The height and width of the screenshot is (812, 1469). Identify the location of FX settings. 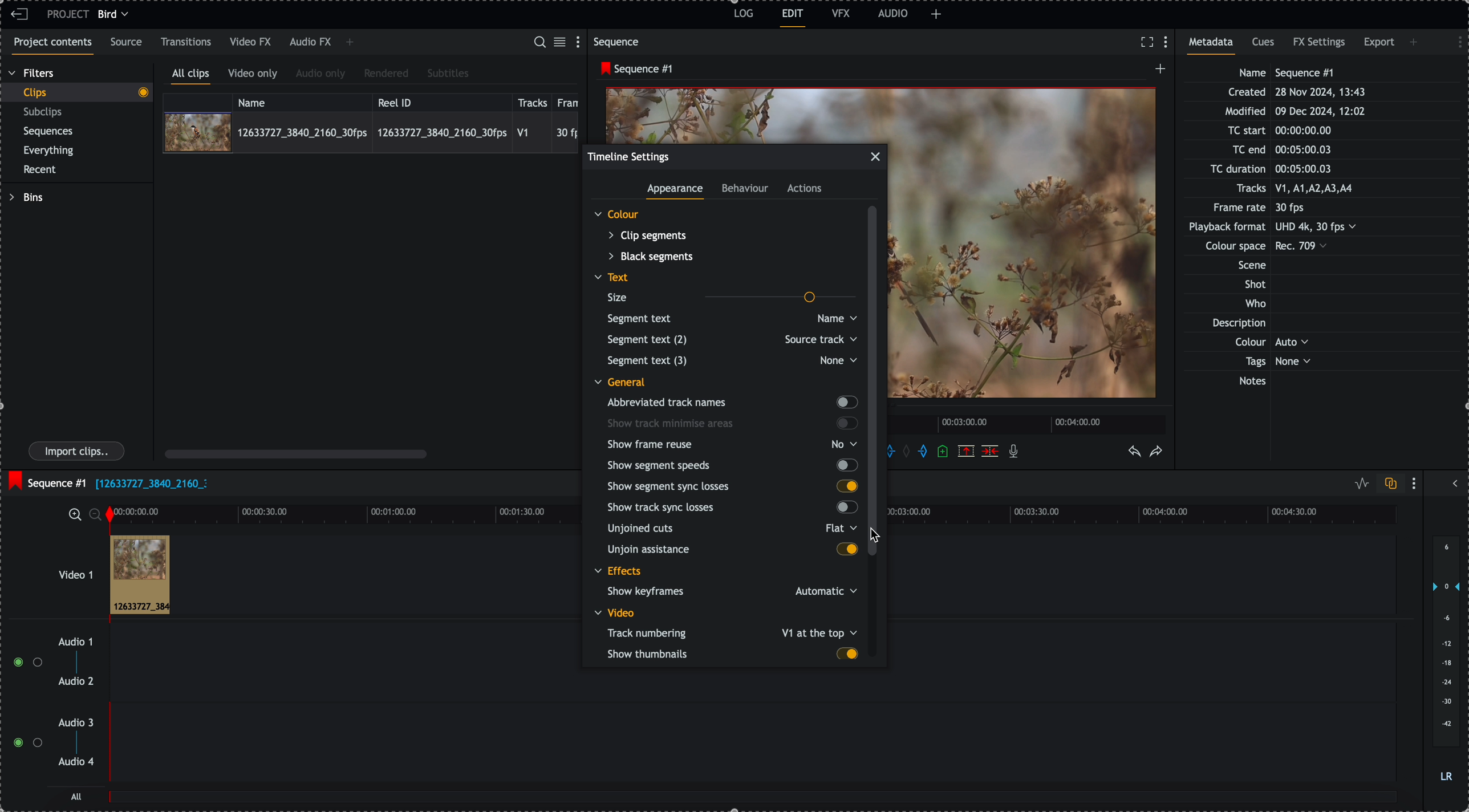
(1320, 44).